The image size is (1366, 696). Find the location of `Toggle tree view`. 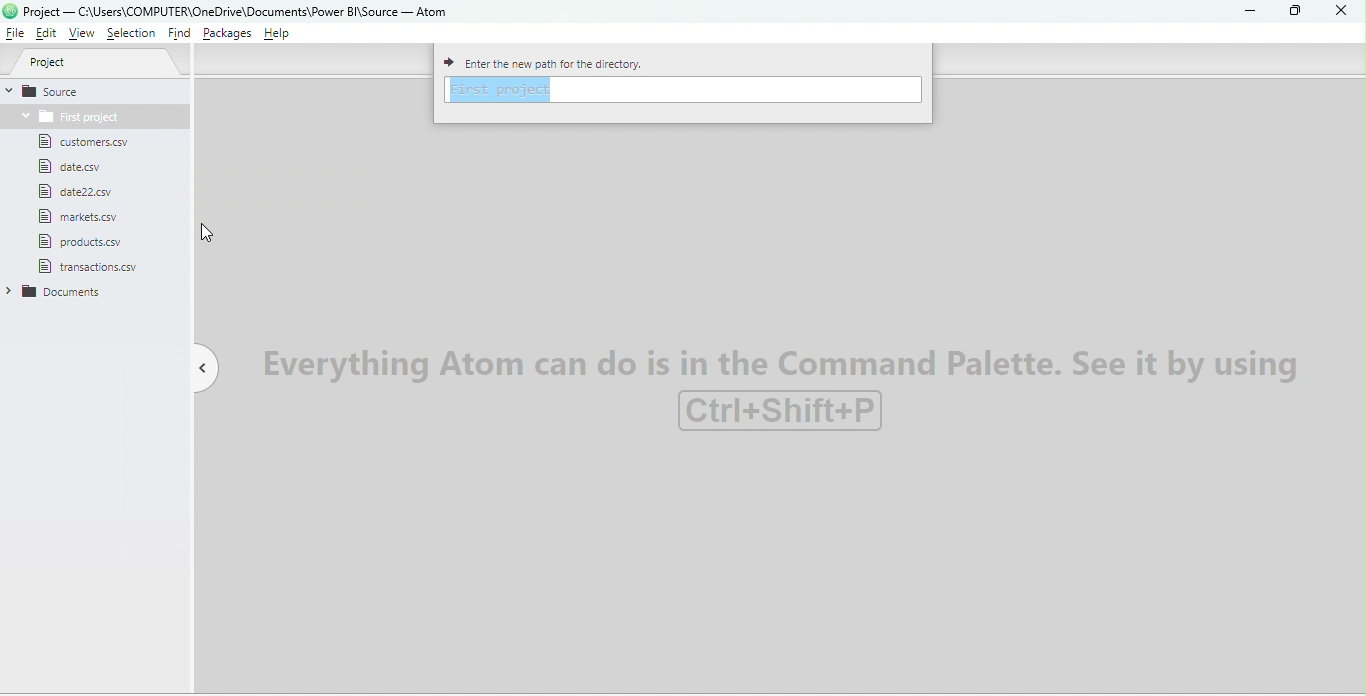

Toggle tree view is located at coordinates (197, 366).